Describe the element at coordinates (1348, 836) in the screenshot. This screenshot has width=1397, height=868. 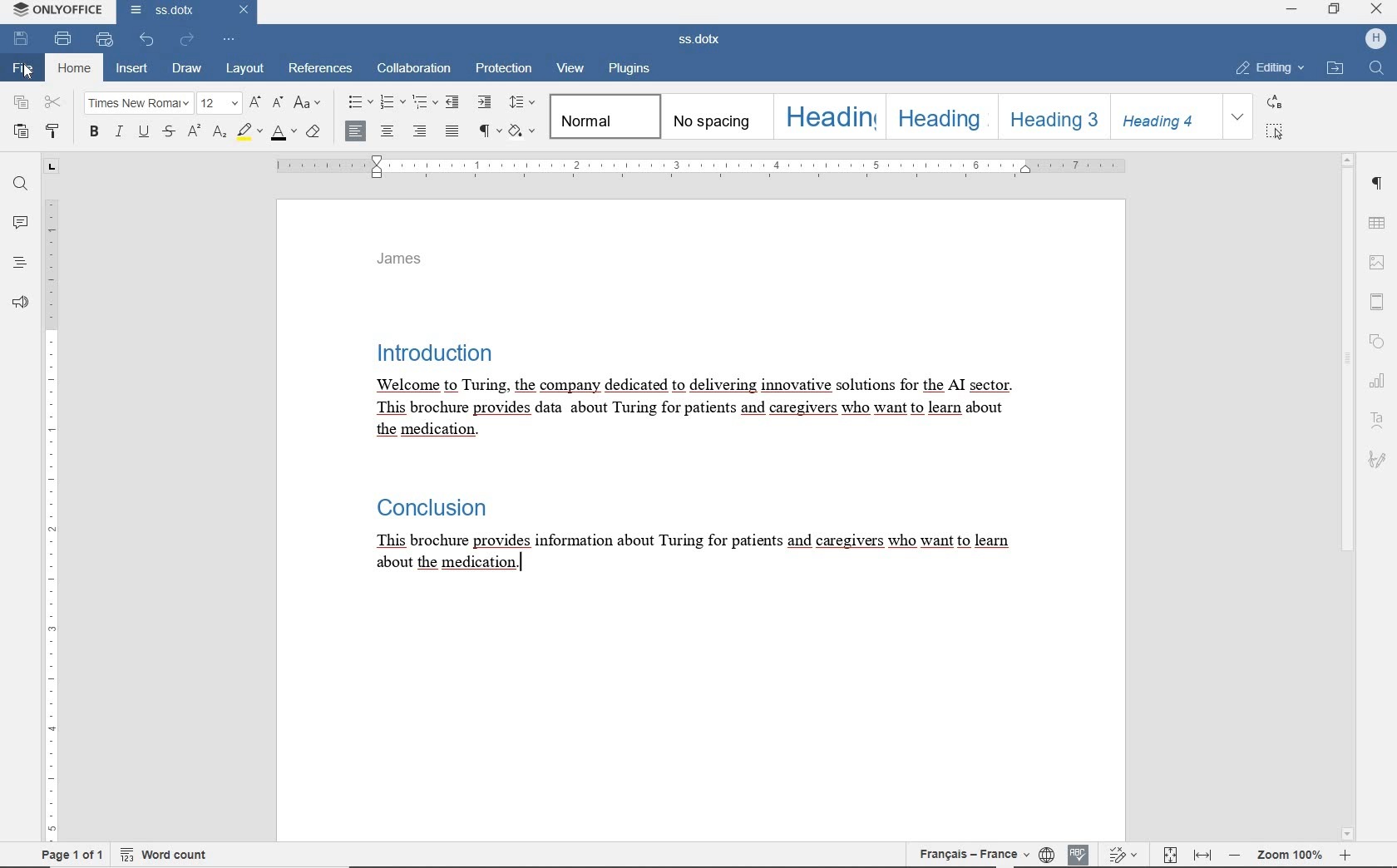
I see `scroll down` at that location.